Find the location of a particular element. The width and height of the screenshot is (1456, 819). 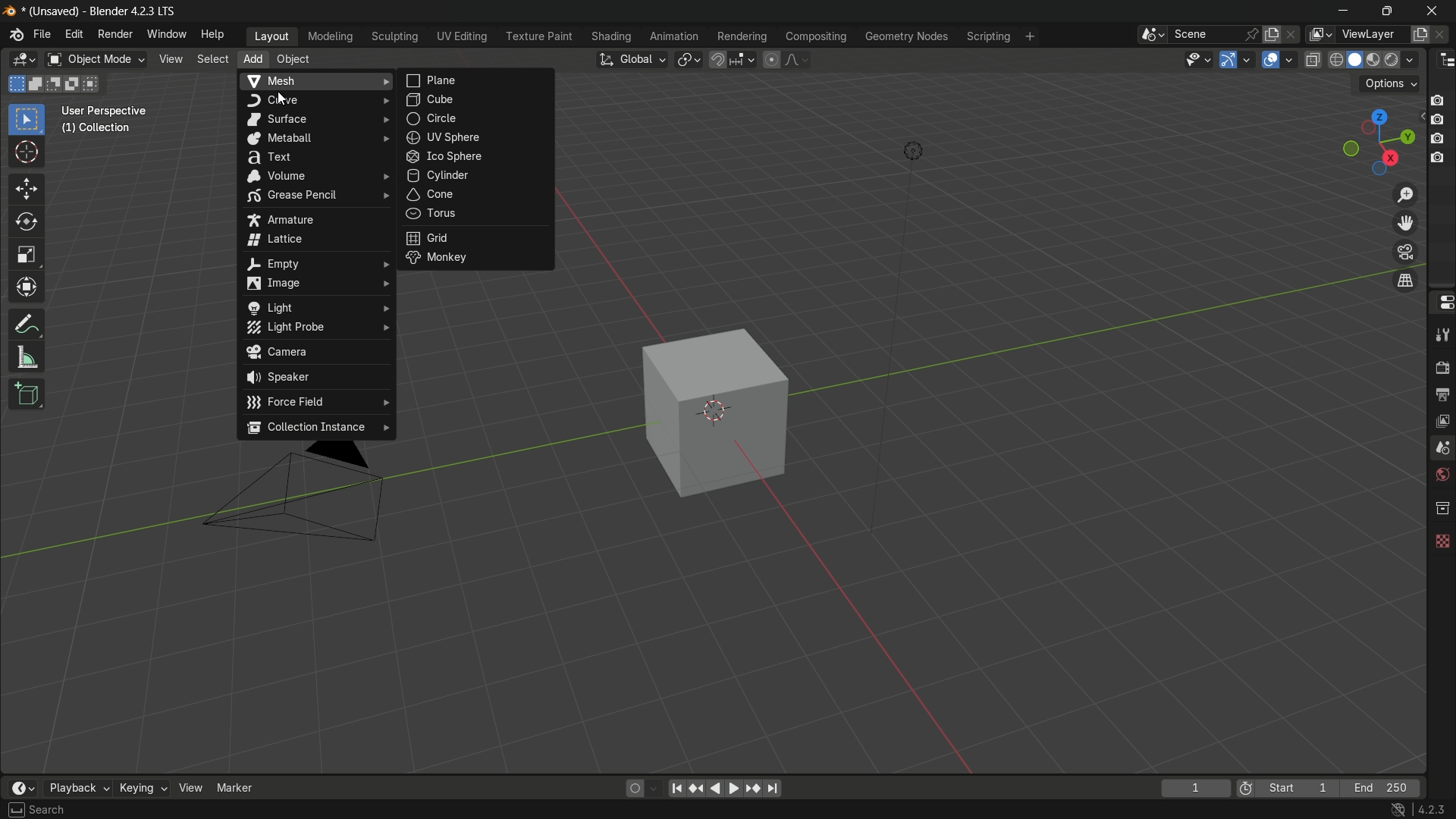

cube is located at coordinates (708, 409).